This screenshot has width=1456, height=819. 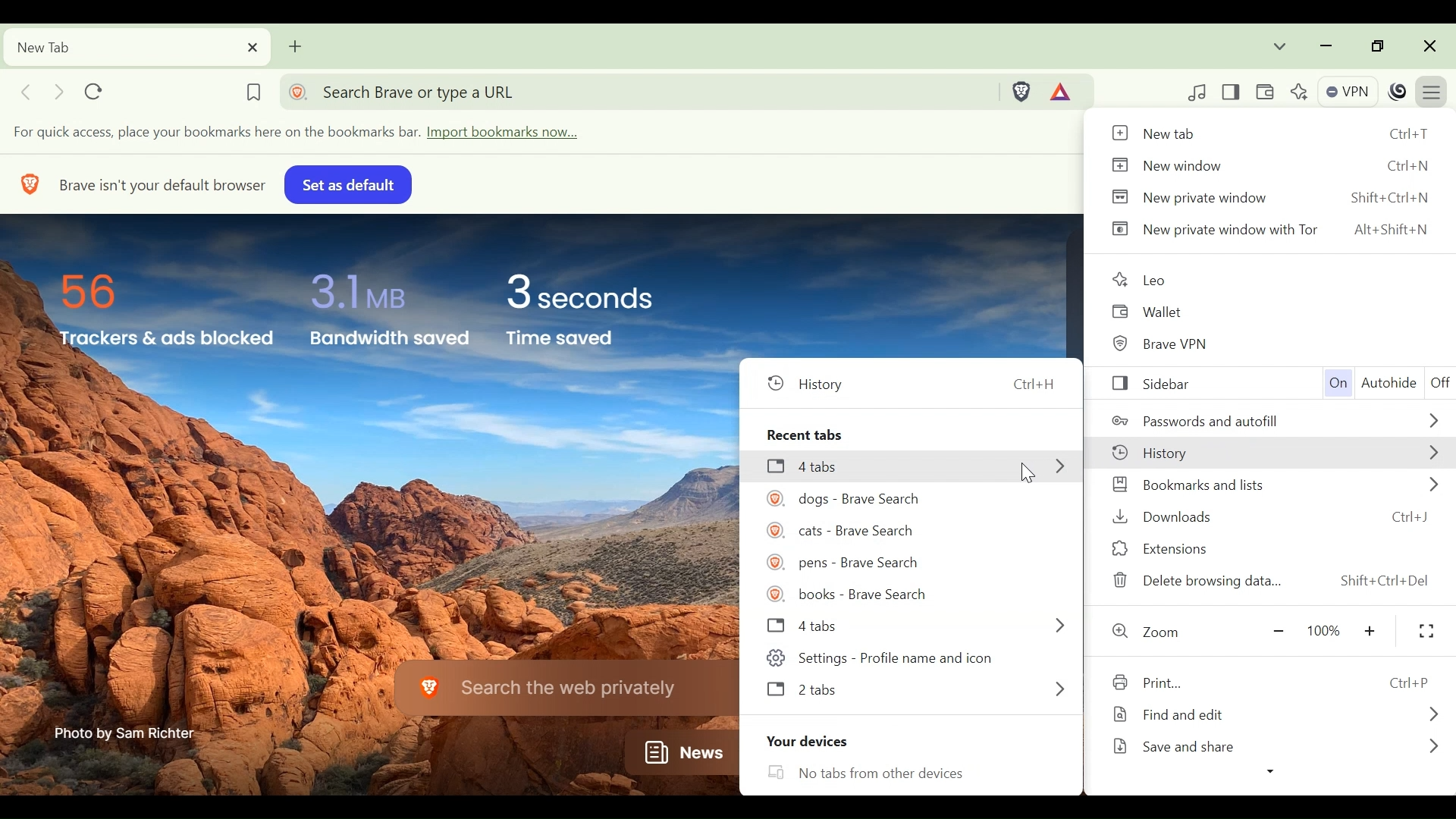 What do you see at coordinates (802, 626) in the screenshot?
I see `J 4tabs` at bounding box center [802, 626].